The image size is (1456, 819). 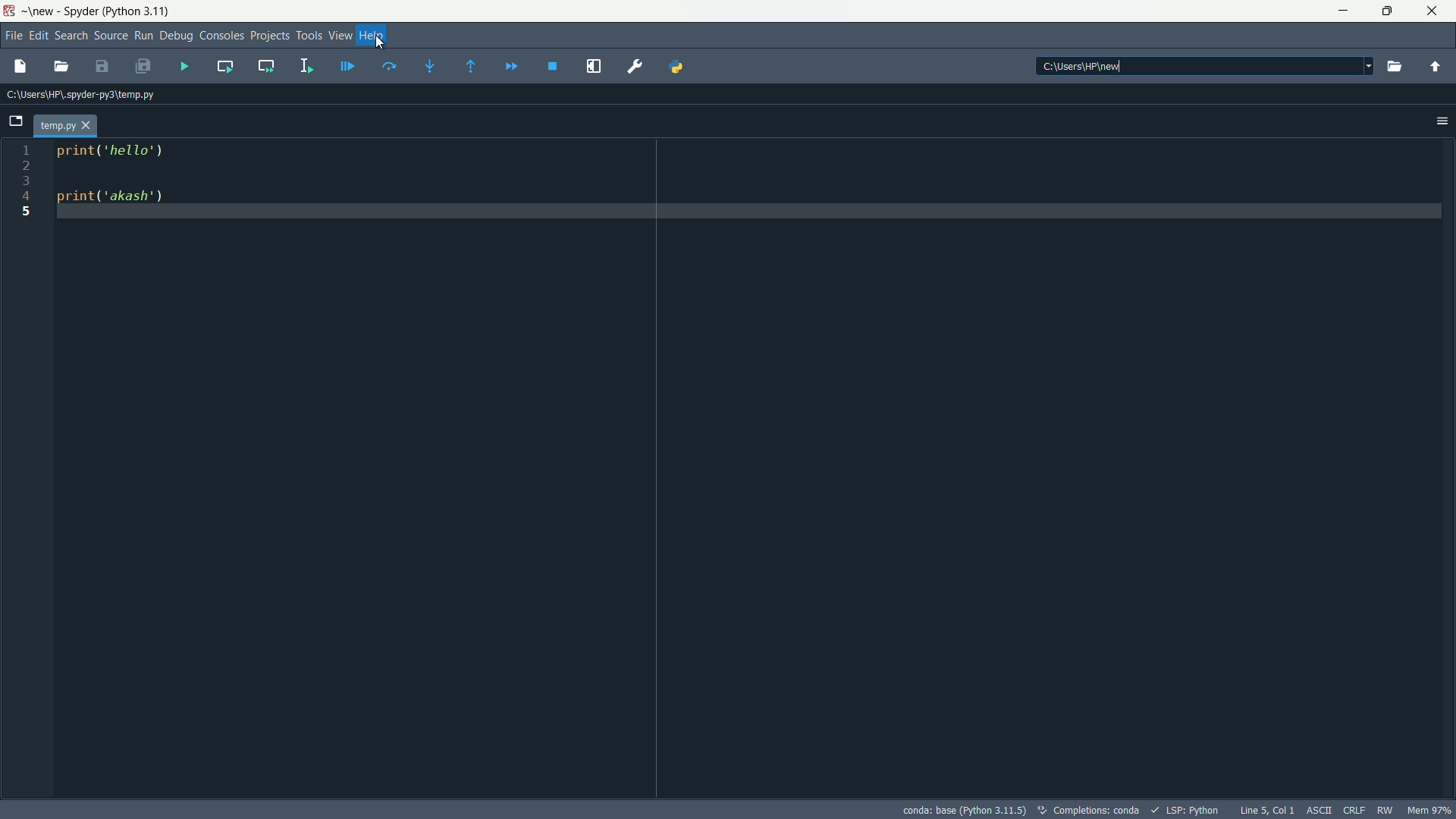 I want to click on options, so click(x=1442, y=118).